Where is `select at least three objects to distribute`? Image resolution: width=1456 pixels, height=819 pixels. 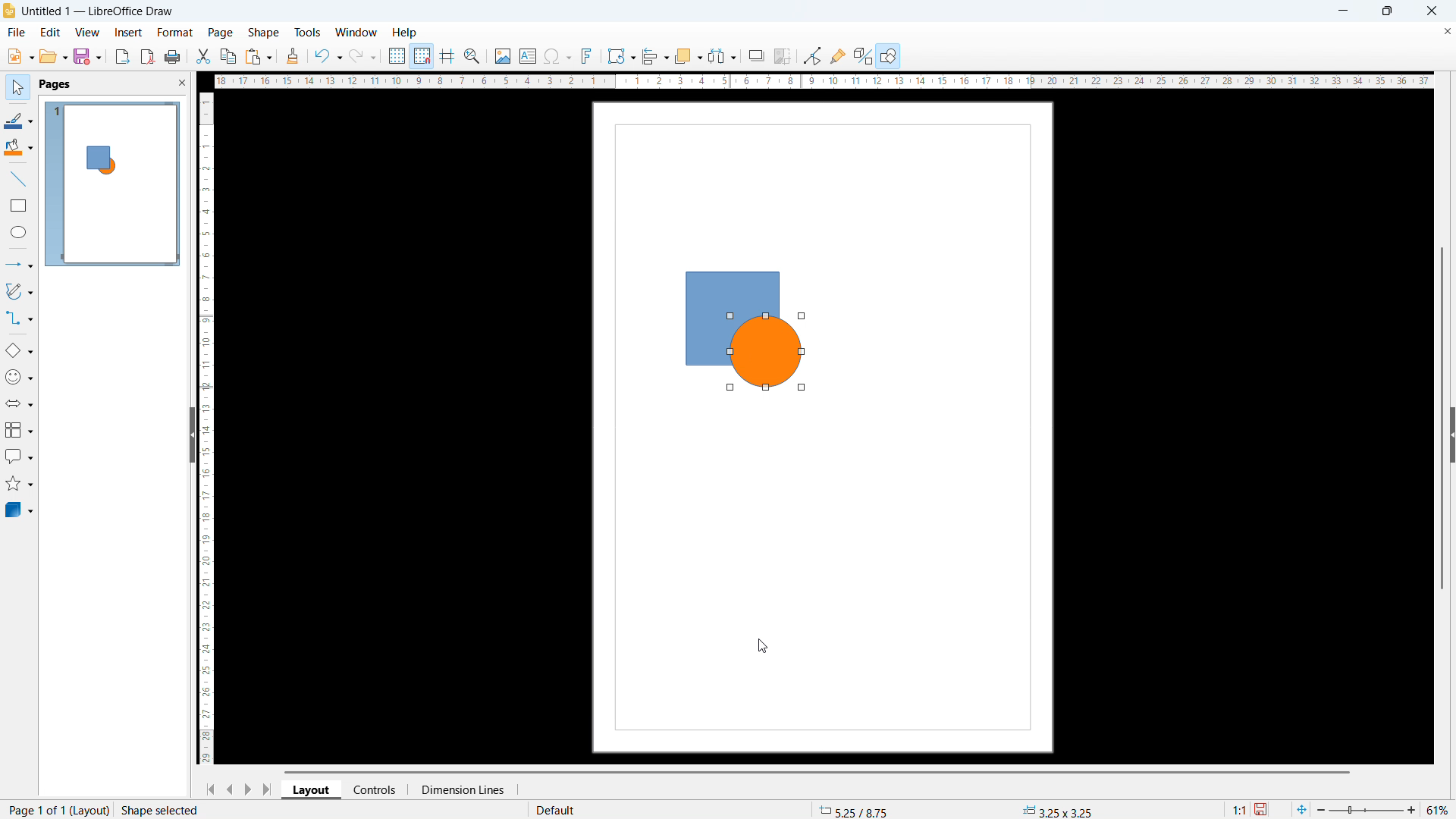
select at least three objects to distribute is located at coordinates (723, 56).